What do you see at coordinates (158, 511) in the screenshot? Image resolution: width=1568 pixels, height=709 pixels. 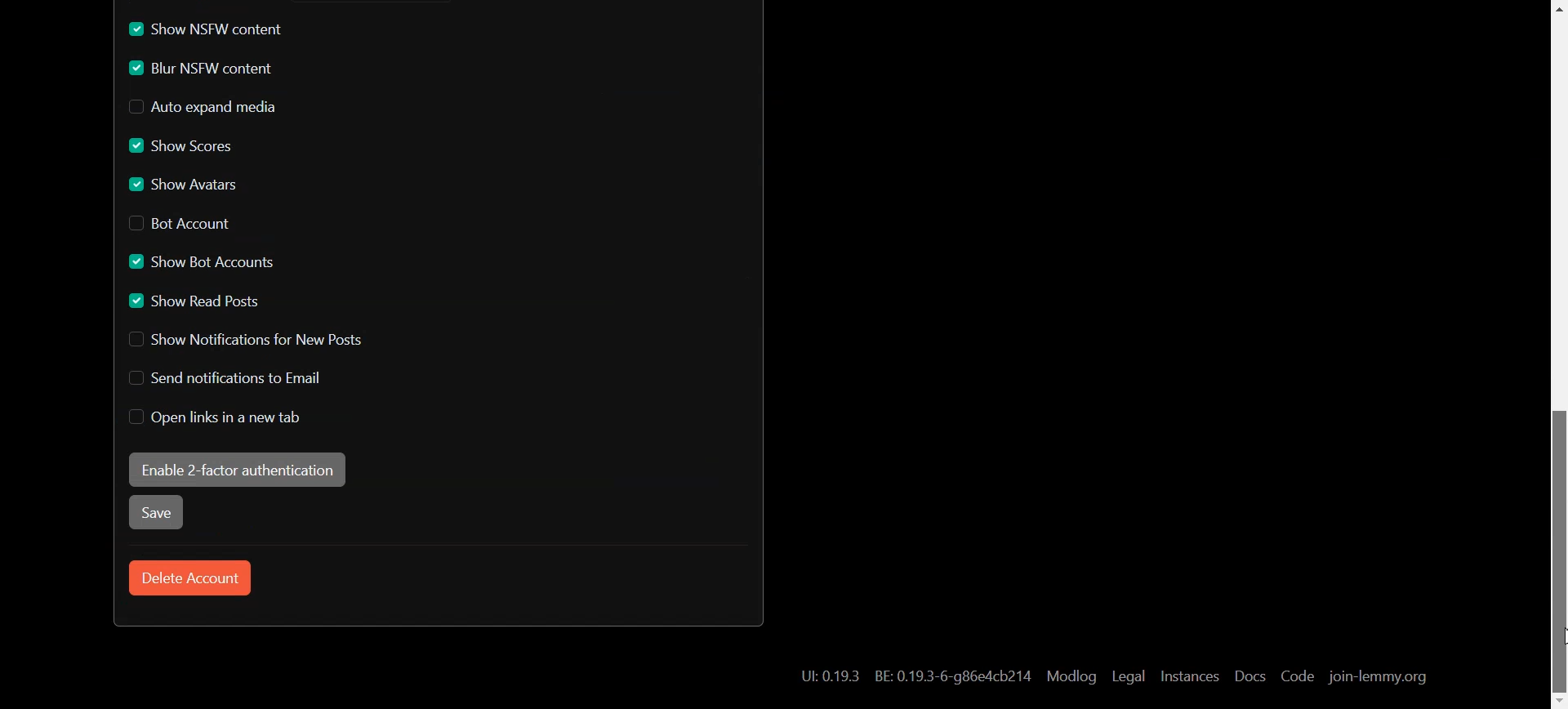 I see `Save` at bounding box center [158, 511].